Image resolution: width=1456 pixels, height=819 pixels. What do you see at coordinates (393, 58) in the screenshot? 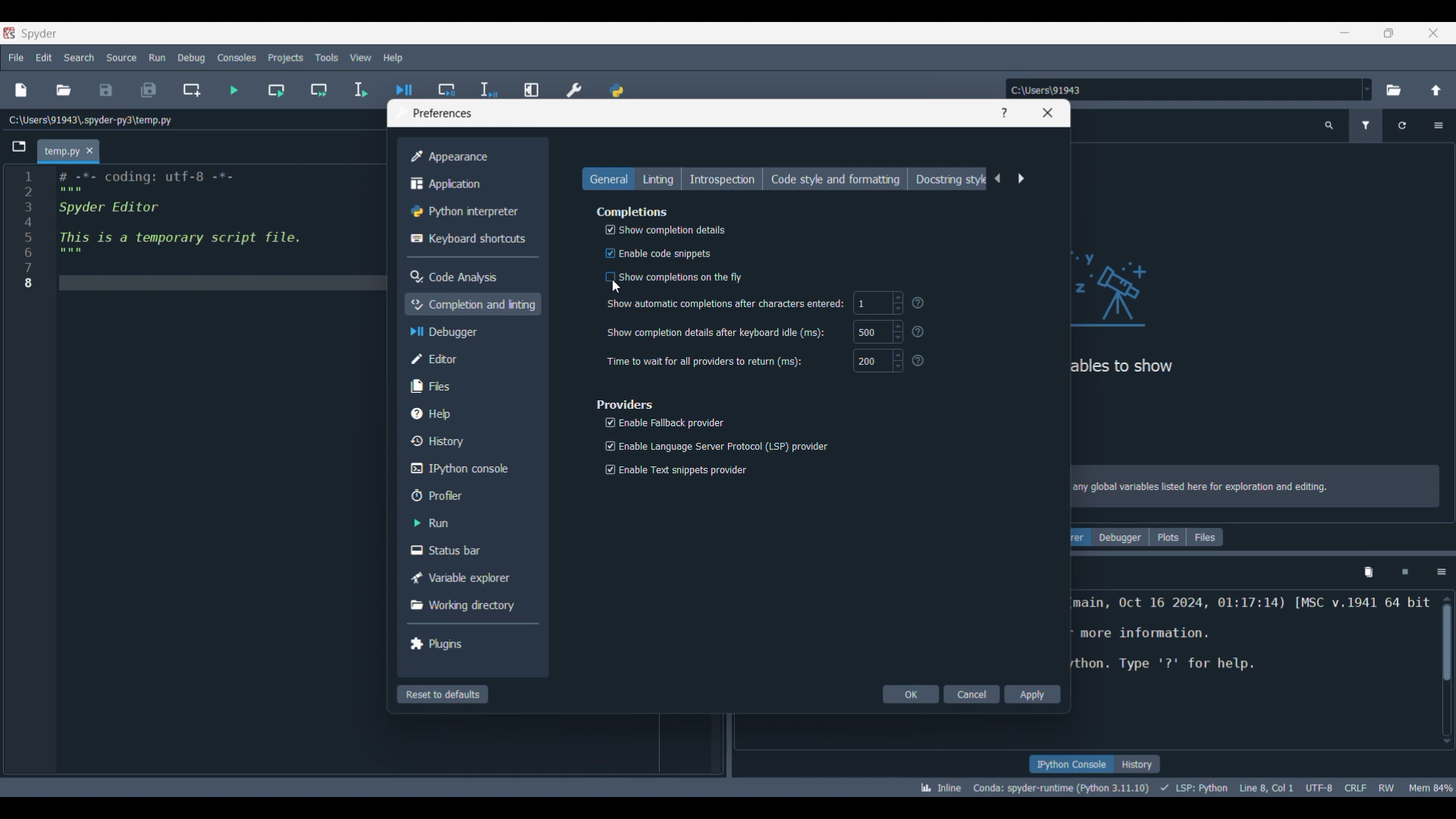
I see `Help menu` at bounding box center [393, 58].